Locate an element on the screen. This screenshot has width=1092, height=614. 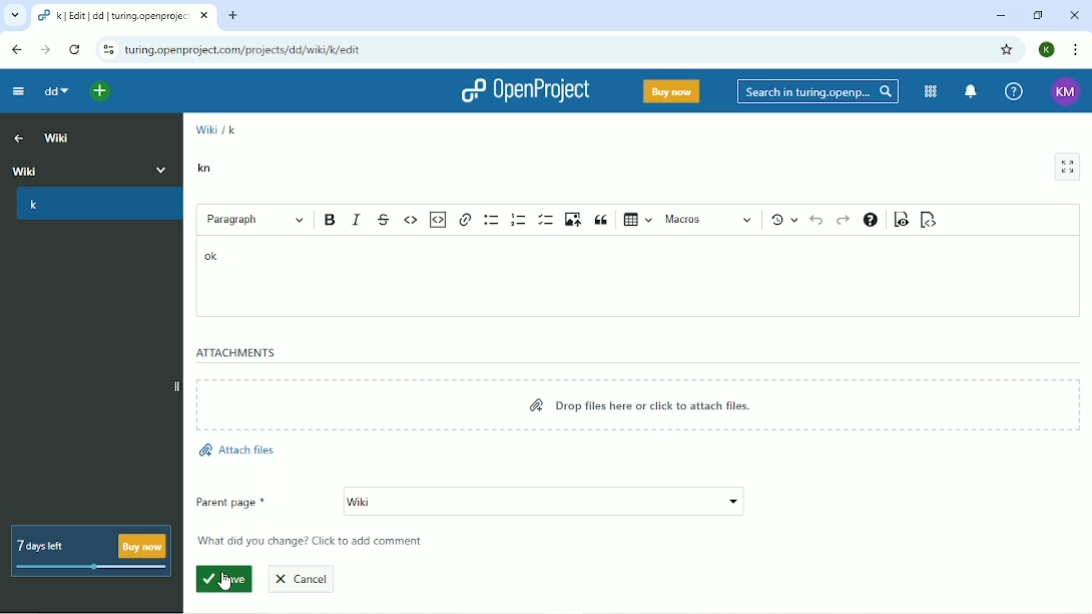
Strikethrough is located at coordinates (384, 219).